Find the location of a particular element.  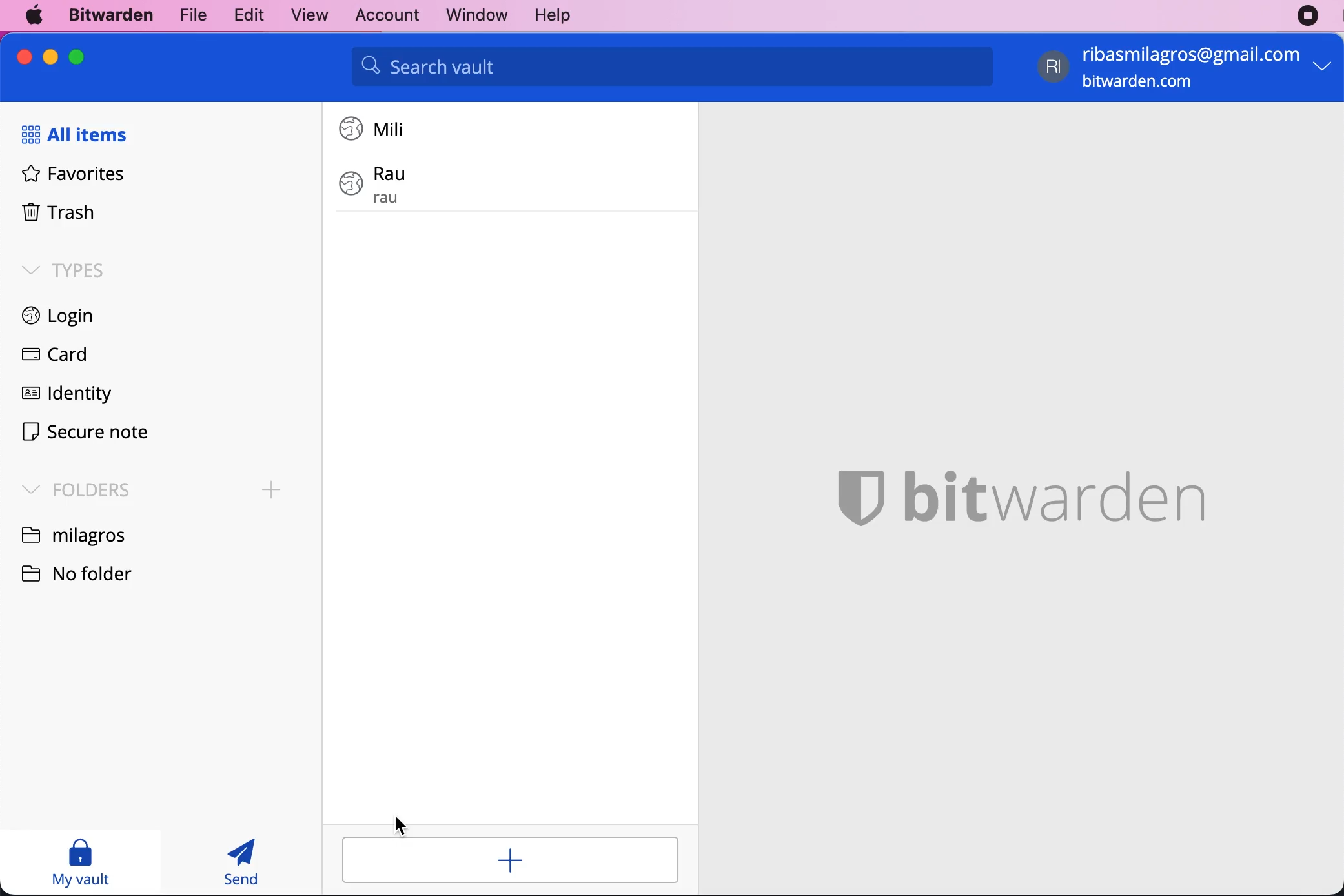

my vault is located at coordinates (80, 862).